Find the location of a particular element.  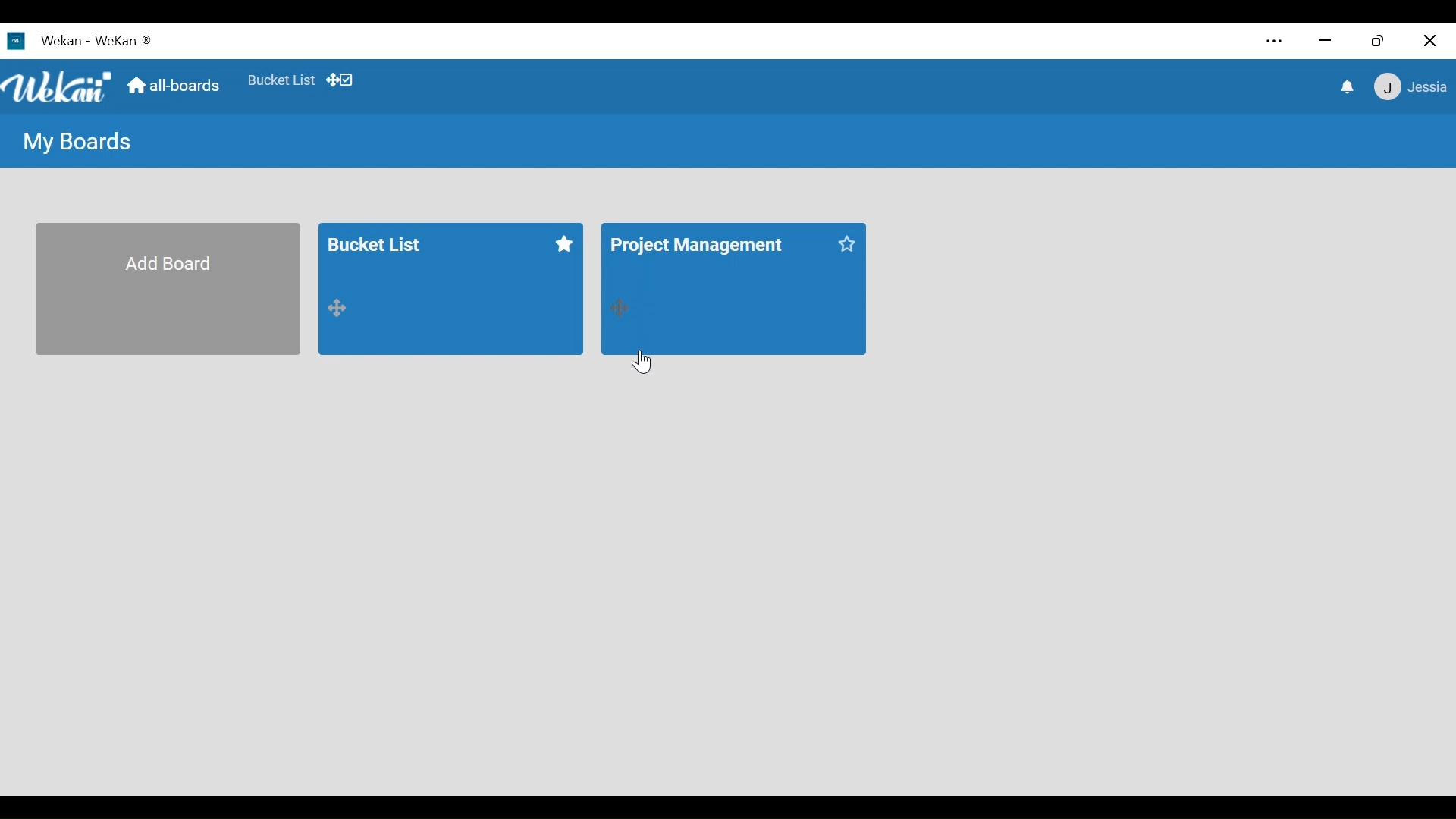

Home (all boards) is located at coordinates (176, 86).